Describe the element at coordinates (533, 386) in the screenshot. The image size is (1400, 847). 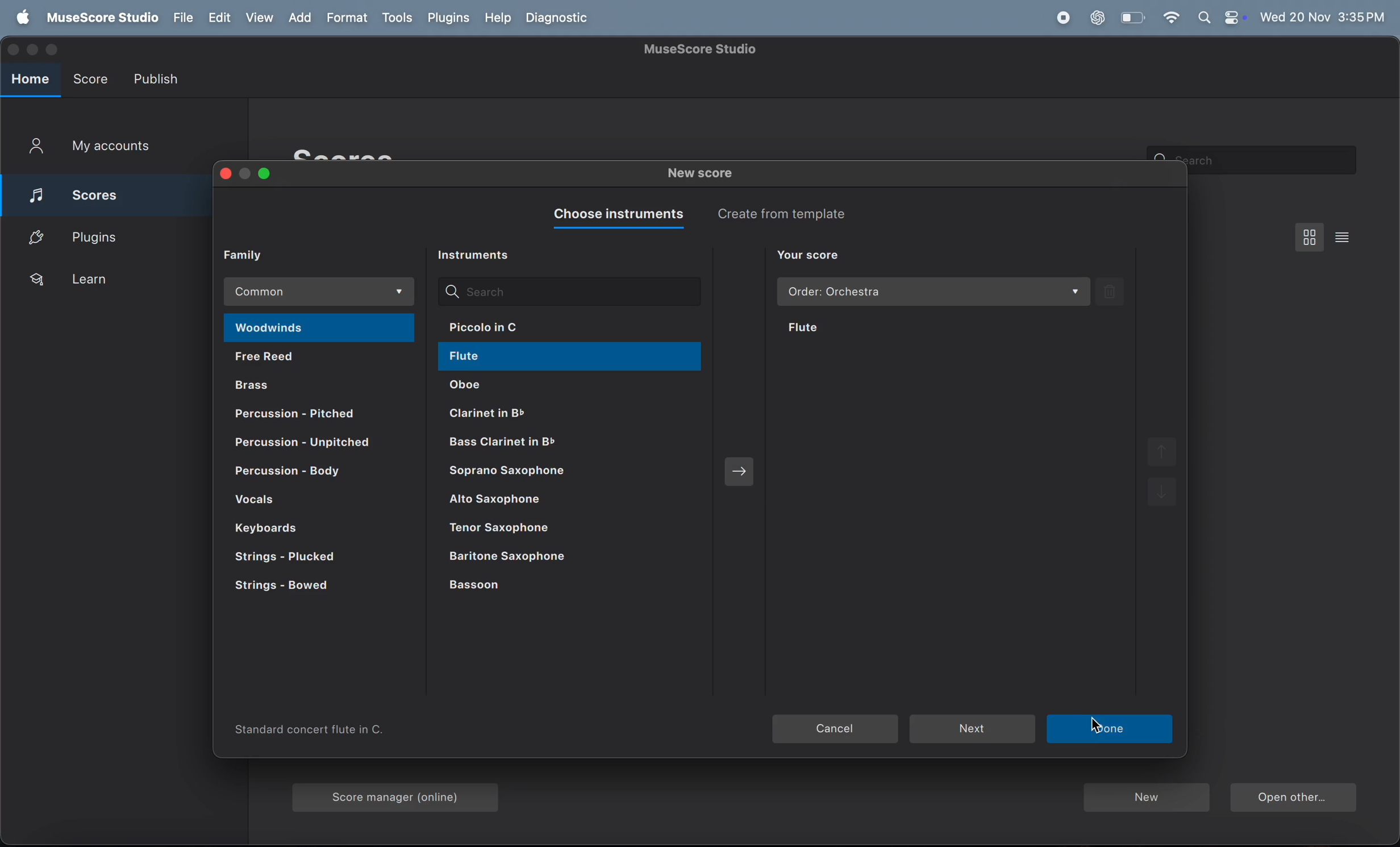
I see `oboe` at that location.